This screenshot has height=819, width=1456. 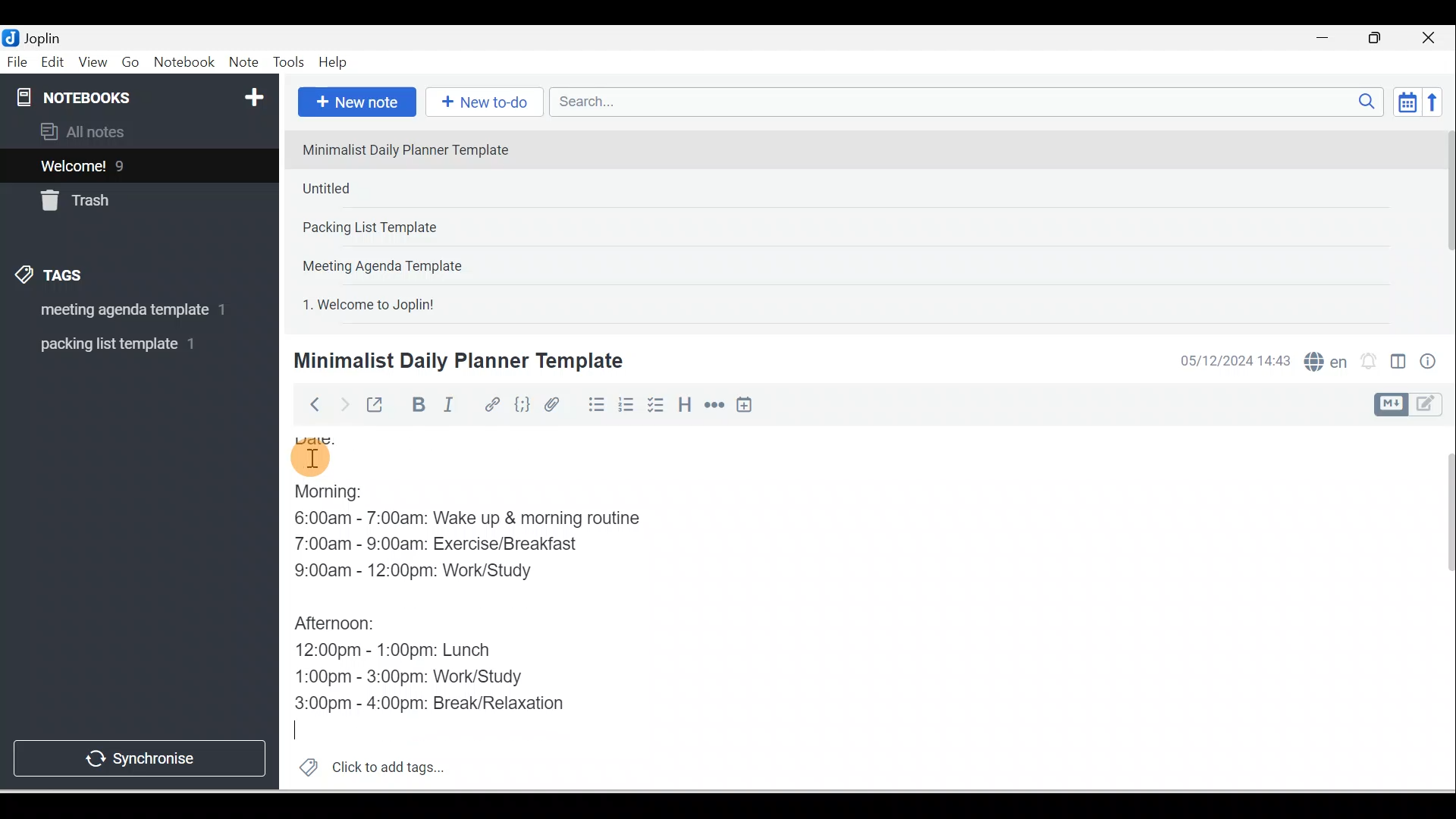 I want to click on View, so click(x=93, y=63).